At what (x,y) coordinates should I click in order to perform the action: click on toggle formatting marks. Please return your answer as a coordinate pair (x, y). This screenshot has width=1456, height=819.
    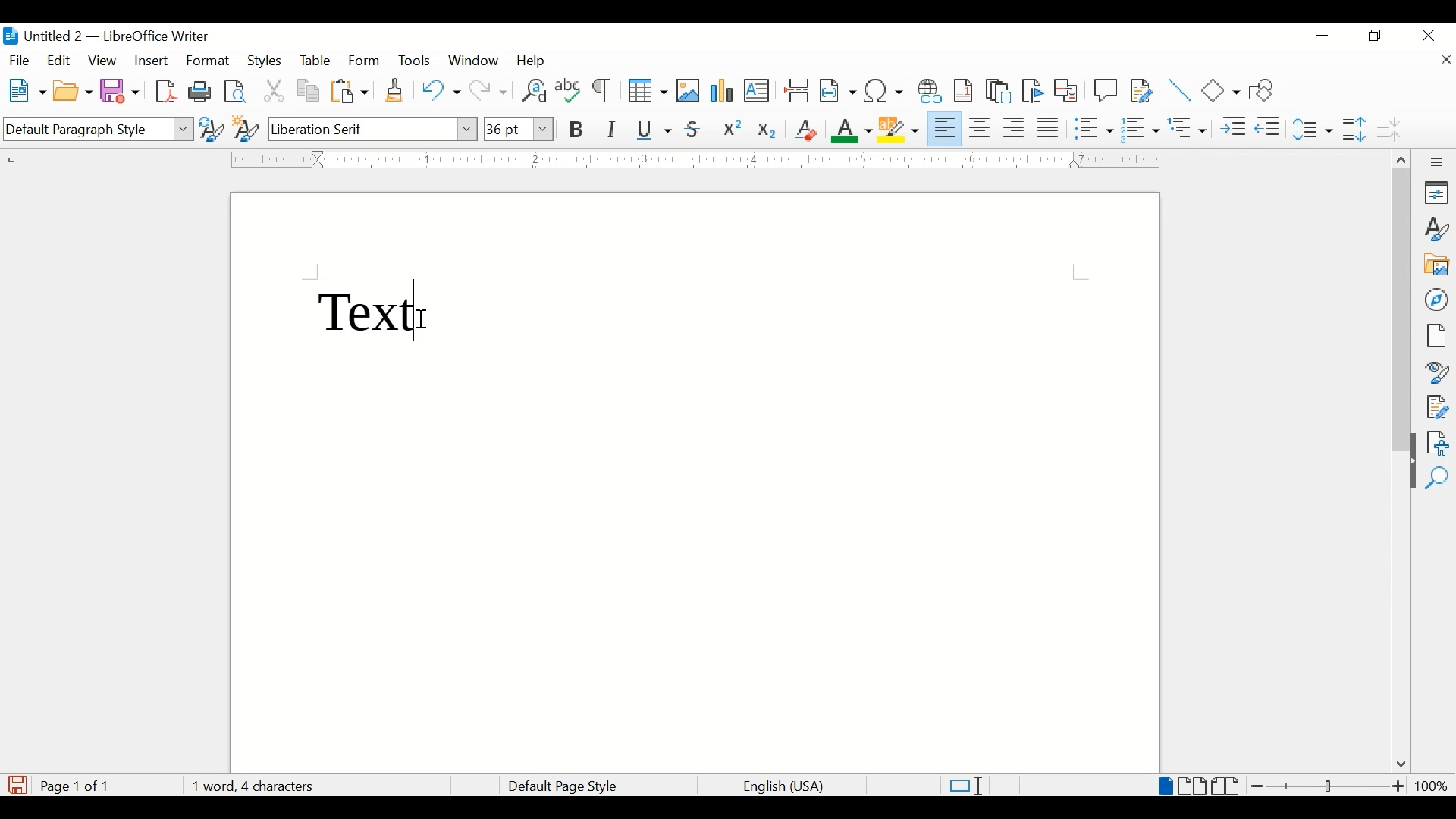
    Looking at the image, I should click on (603, 92).